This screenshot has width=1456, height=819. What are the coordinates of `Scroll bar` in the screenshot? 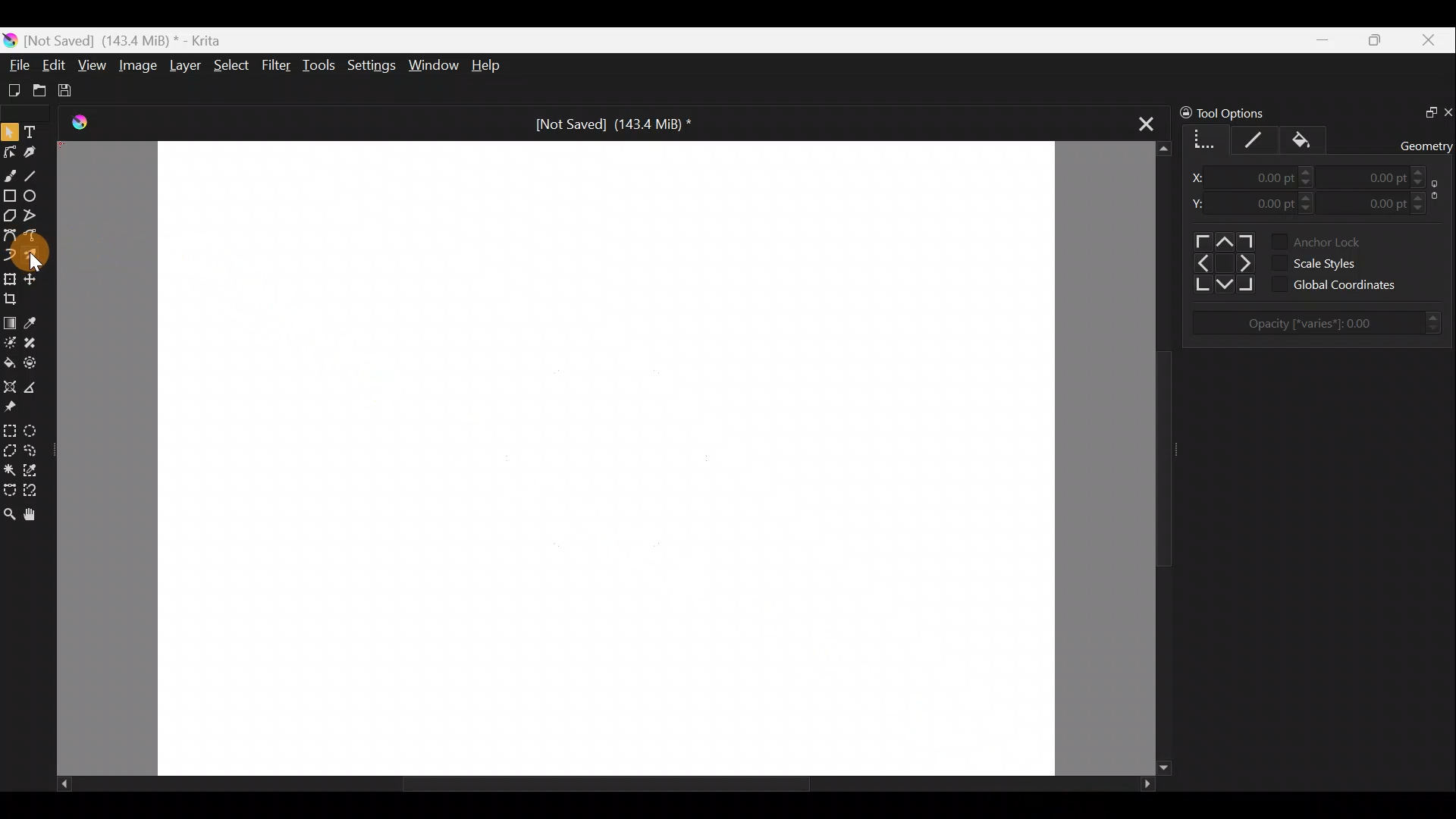 It's located at (581, 783).